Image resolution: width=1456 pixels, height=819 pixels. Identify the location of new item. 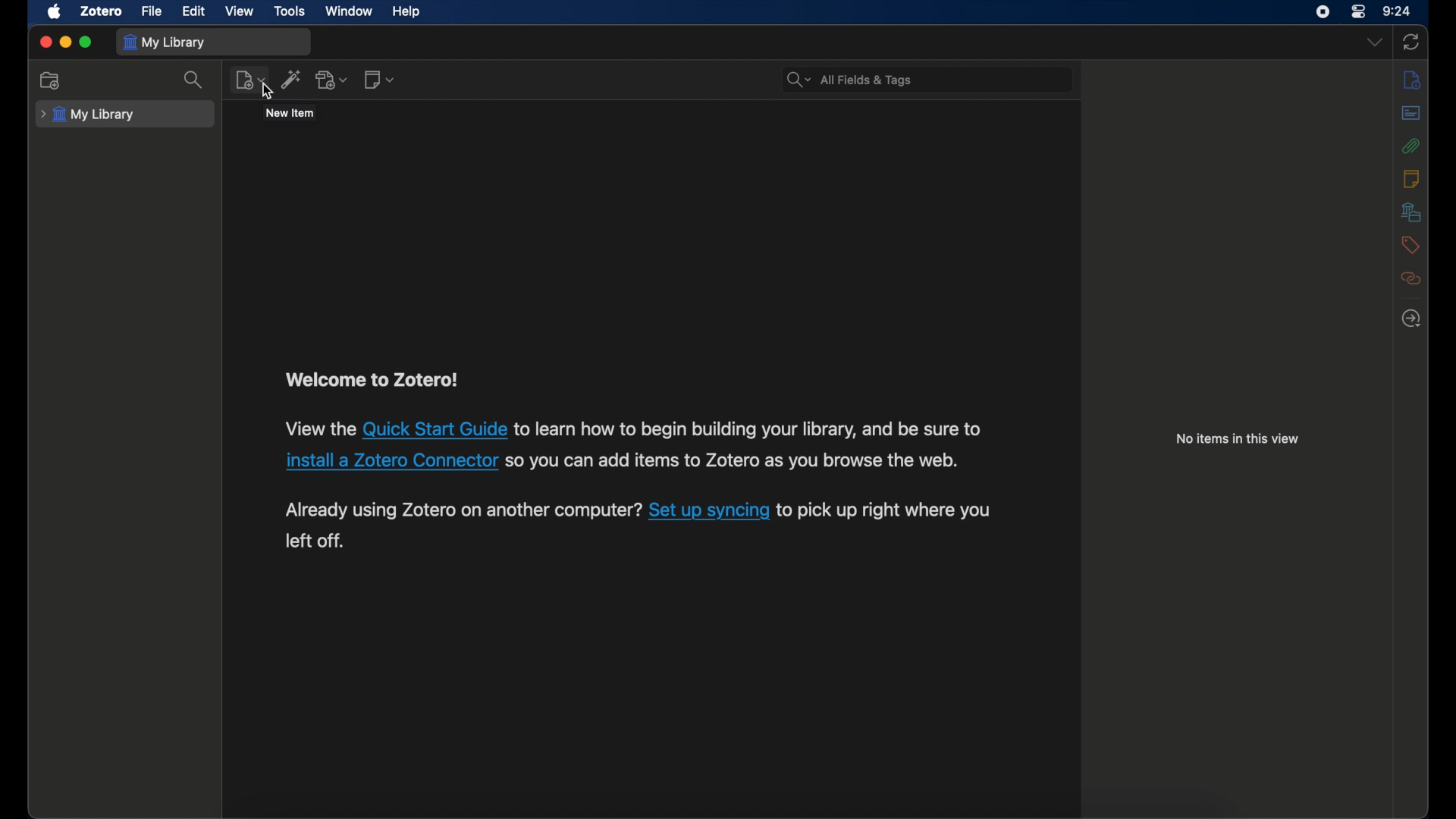
(250, 81).